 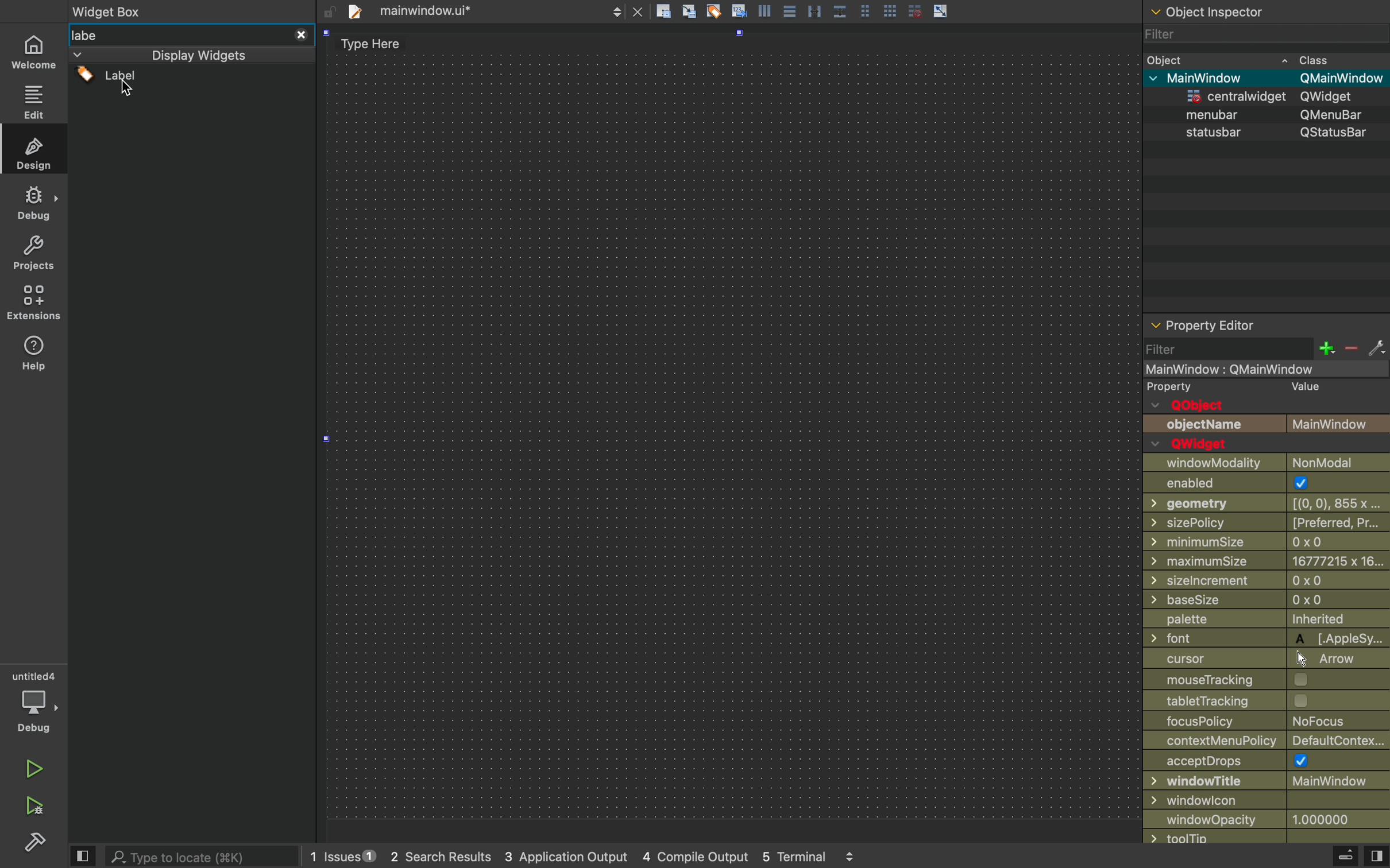 What do you see at coordinates (766, 10) in the screenshot?
I see `icon` at bounding box center [766, 10].